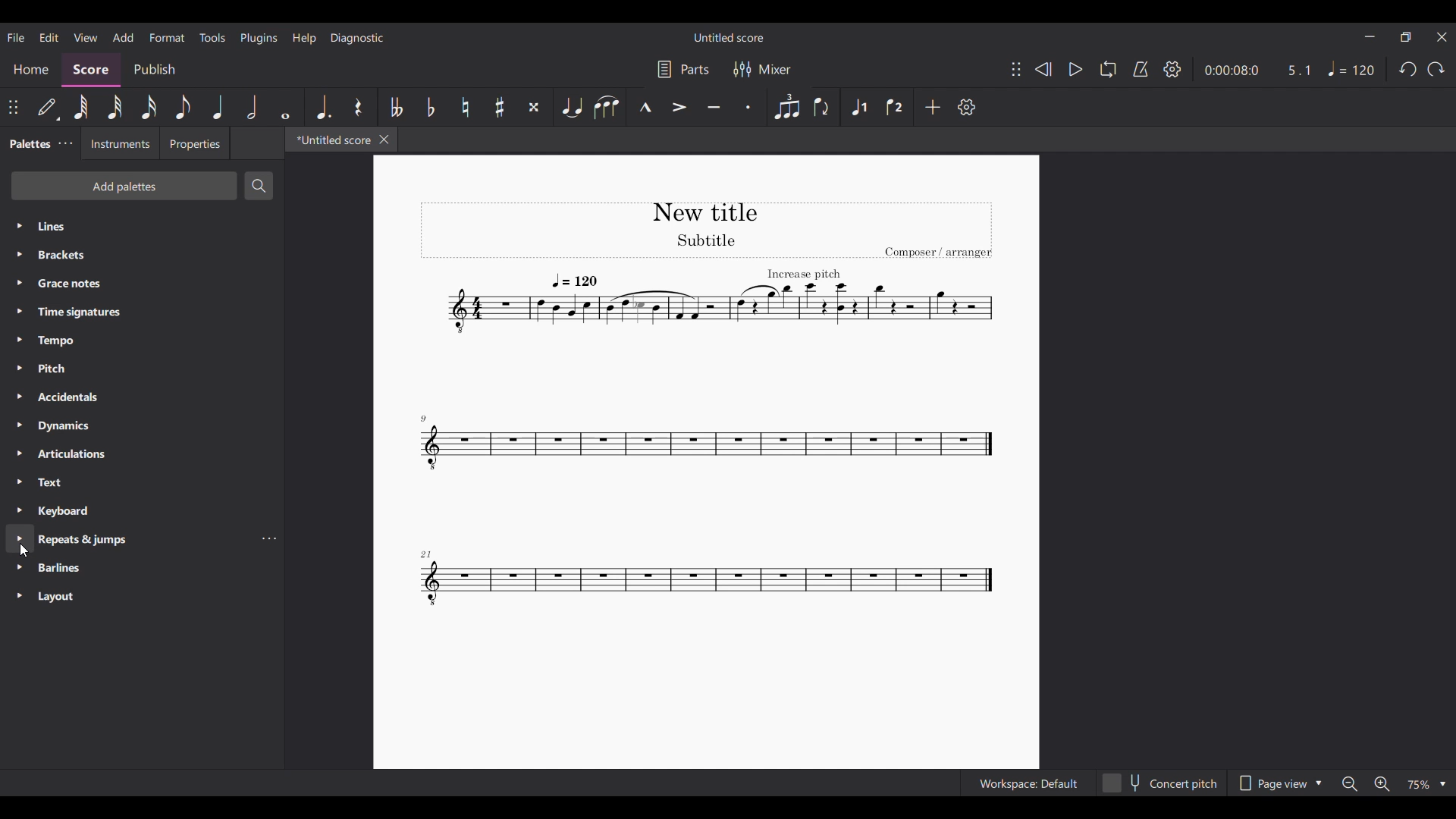 This screenshot has width=1456, height=819. What do you see at coordinates (1016, 69) in the screenshot?
I see `Change position` at bounding box center [1016, 69].